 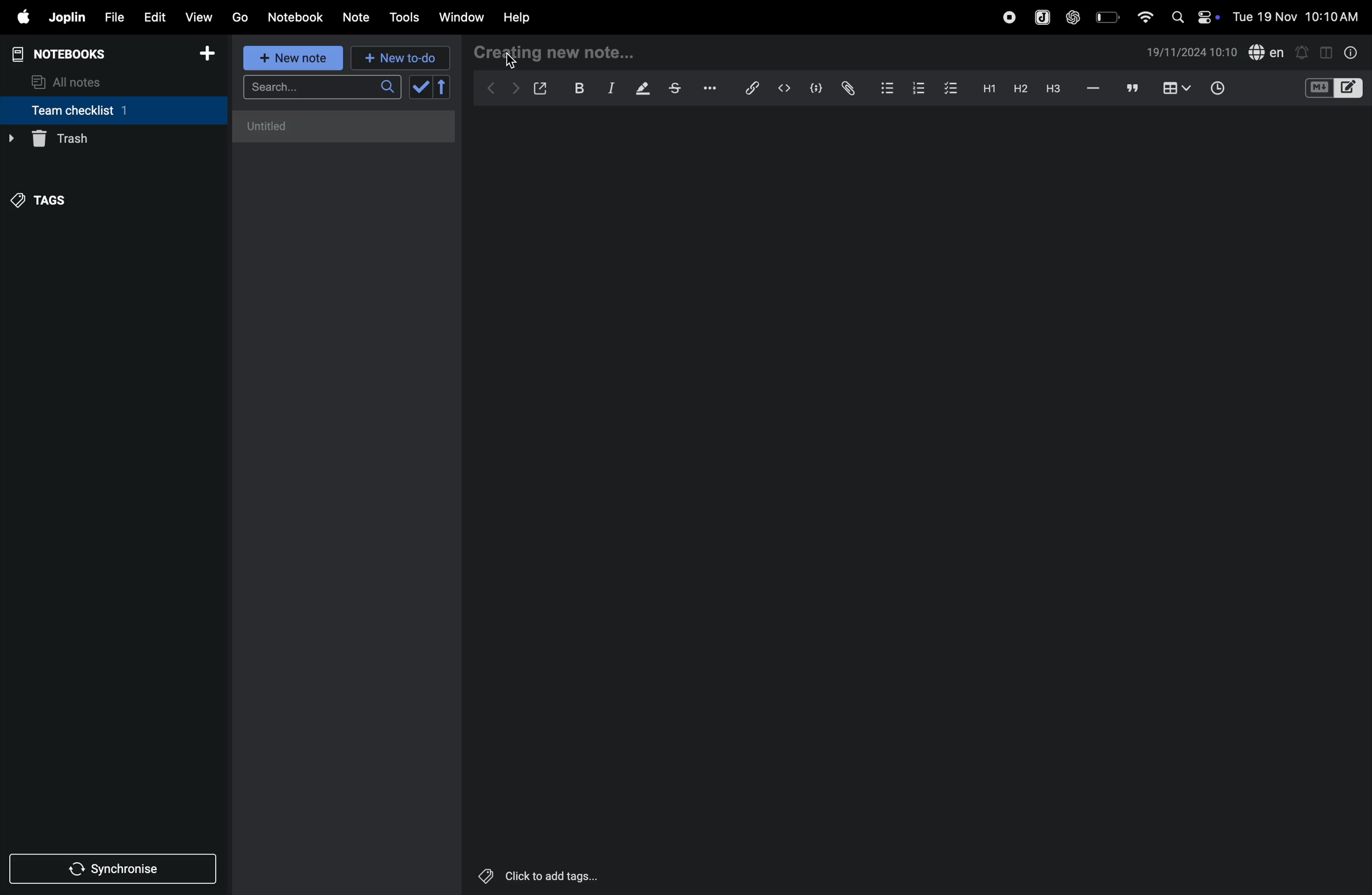 I want to click on comments, so click(x=1130, y=89).